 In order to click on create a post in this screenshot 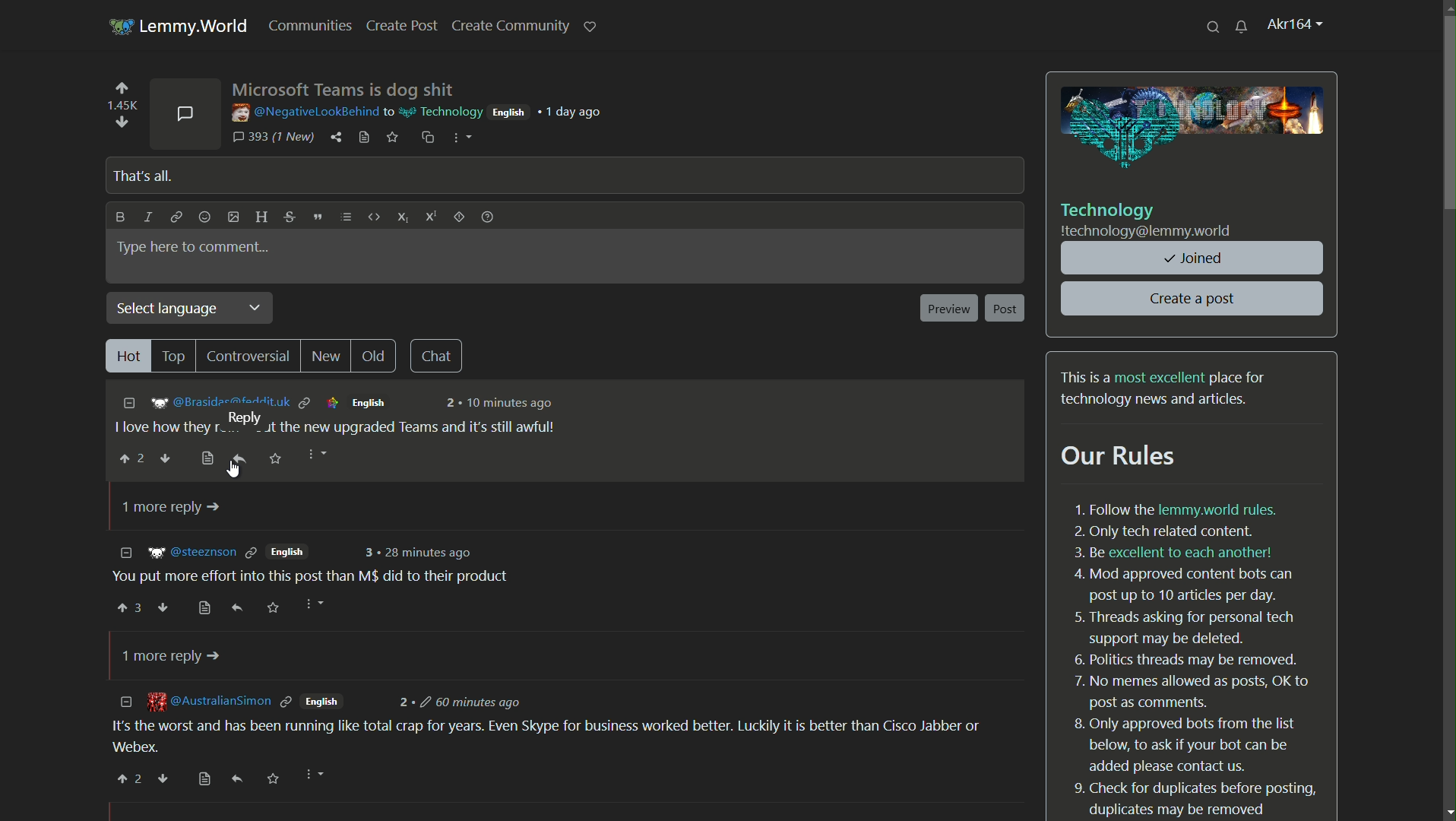, I will do `click(1194, 299)`.